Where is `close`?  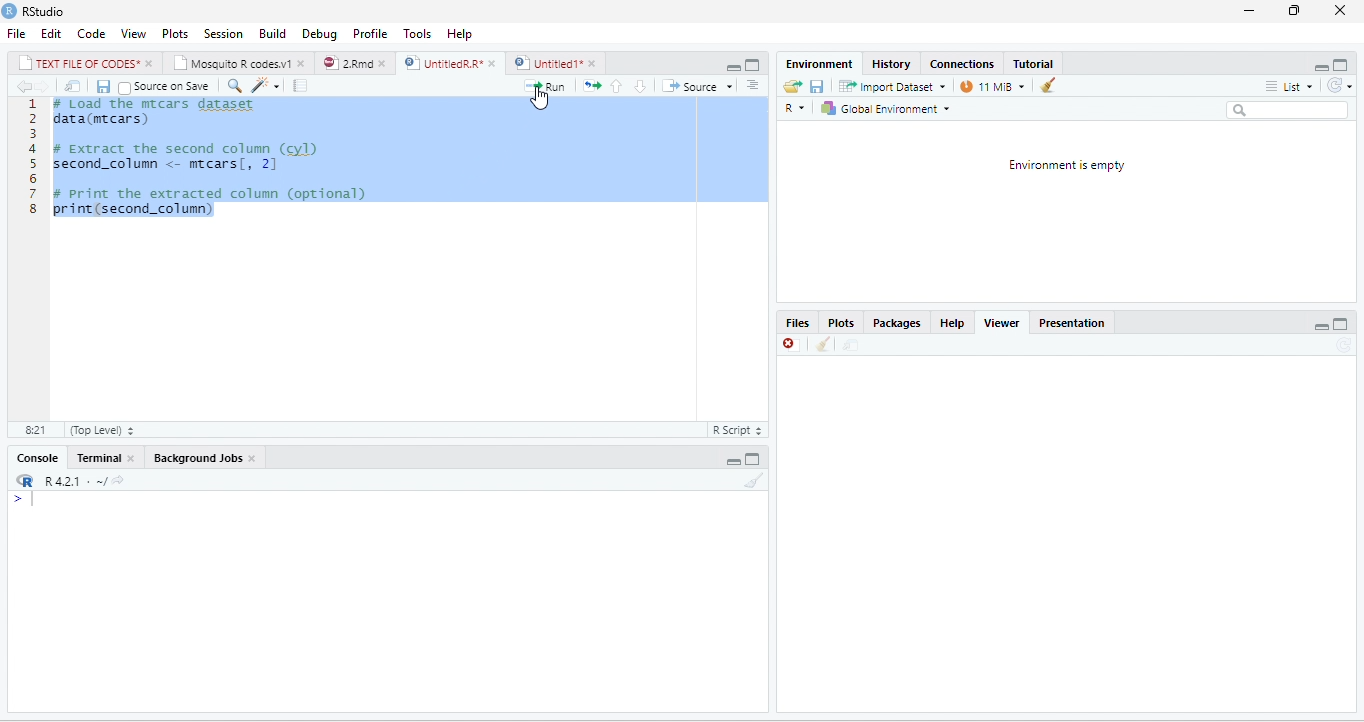
close is located at coordinates (492, 62).